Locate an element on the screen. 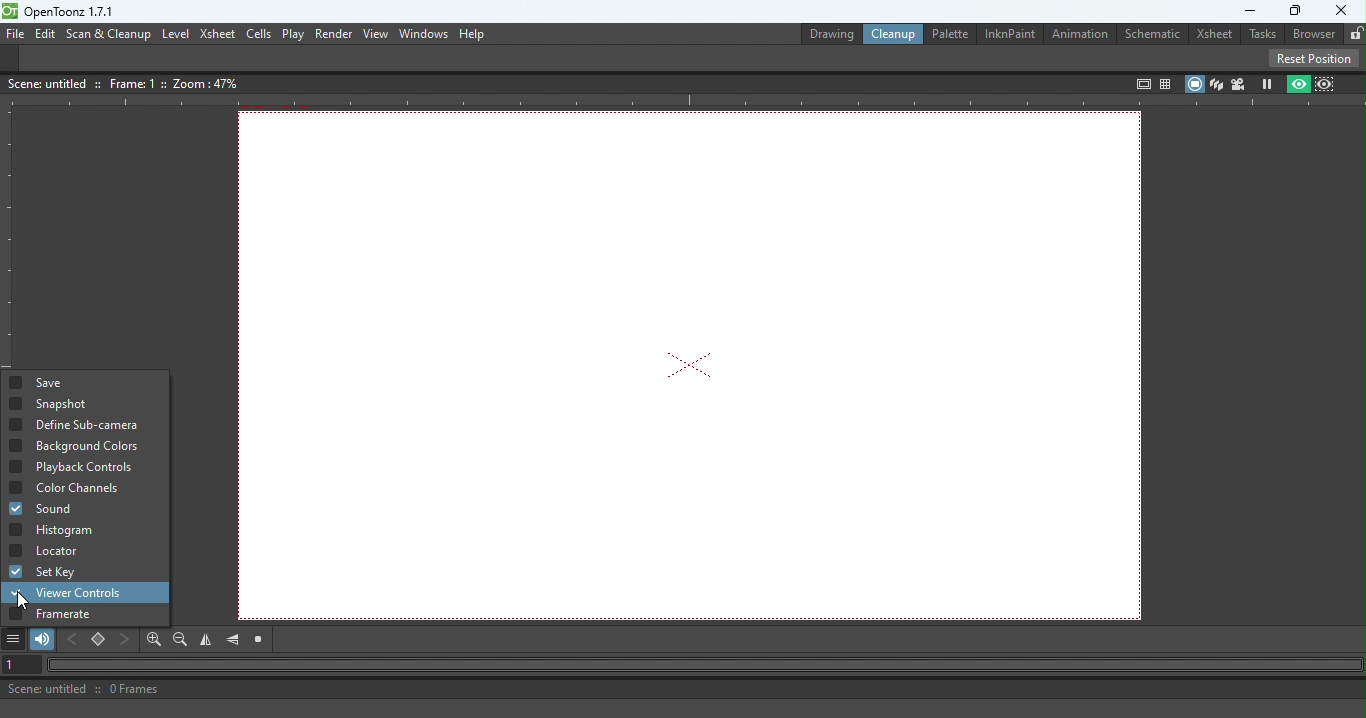 Image resolution: width=1366 pixels, height=718 pixels. Browser is located at coordinates (1310, 34).